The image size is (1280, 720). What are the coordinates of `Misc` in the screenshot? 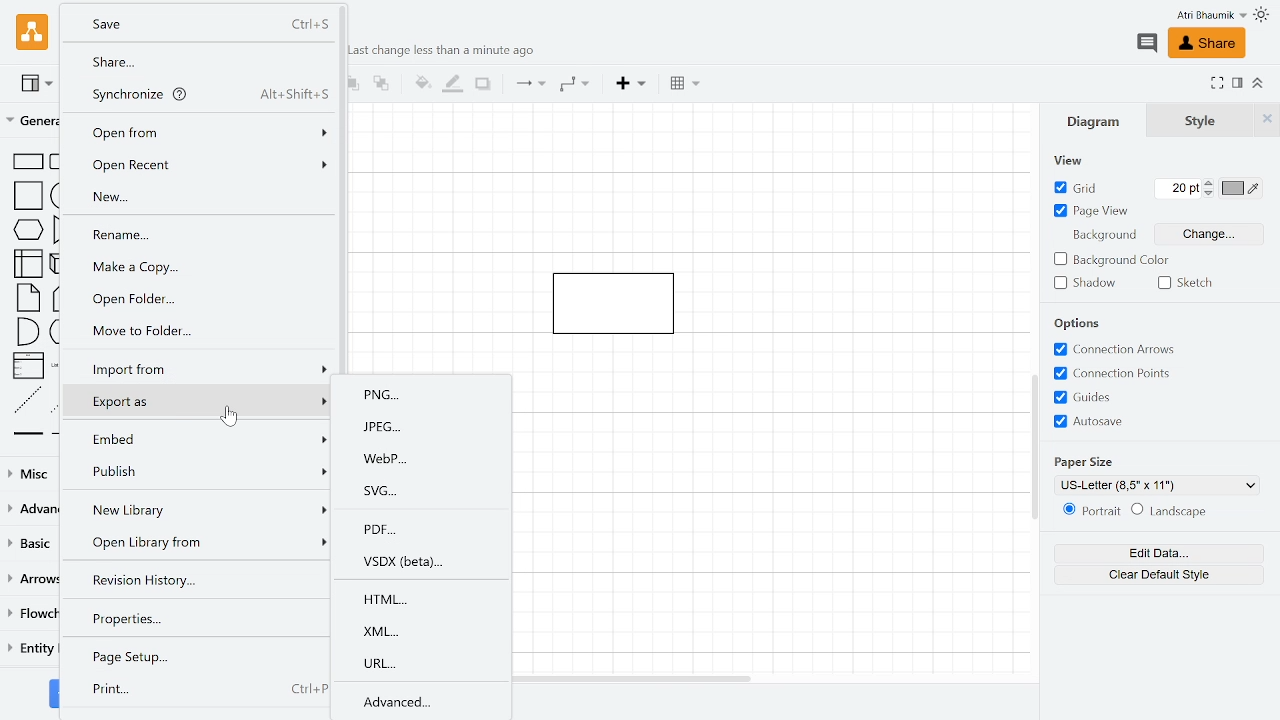 It's located at (30, 476).